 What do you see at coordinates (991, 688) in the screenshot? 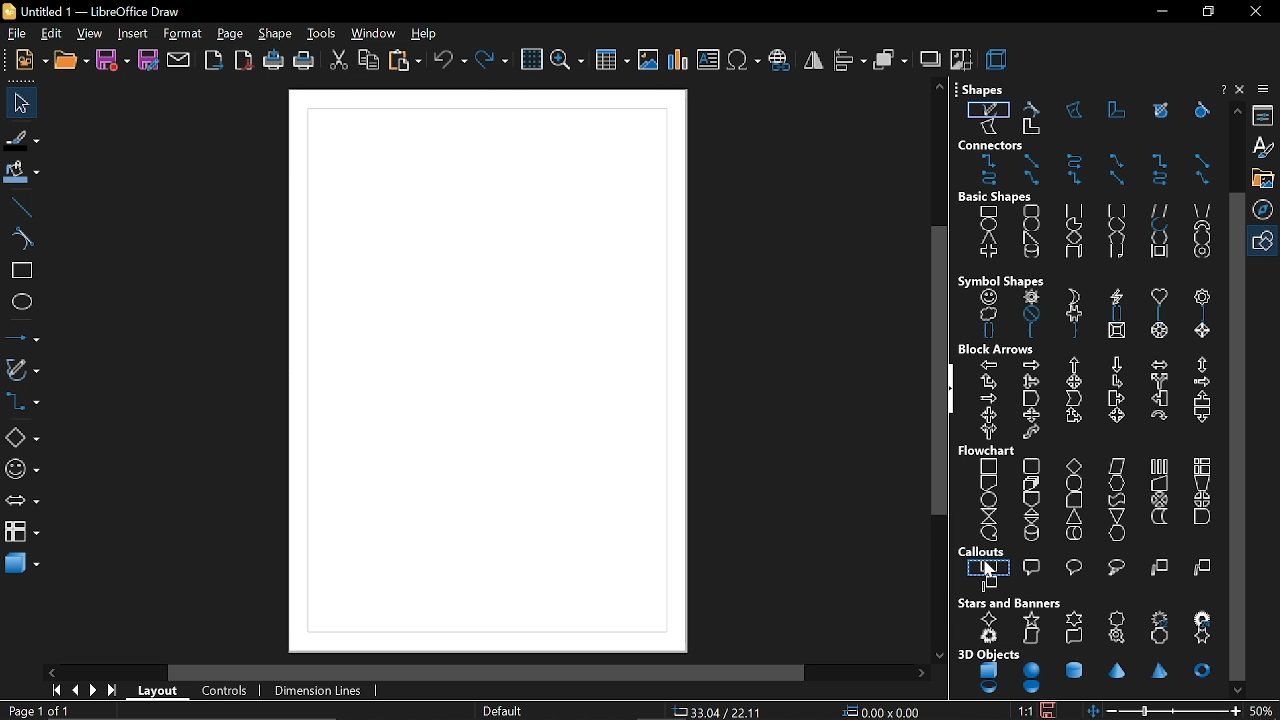
I see `shell` at bounding box center [991, 688].